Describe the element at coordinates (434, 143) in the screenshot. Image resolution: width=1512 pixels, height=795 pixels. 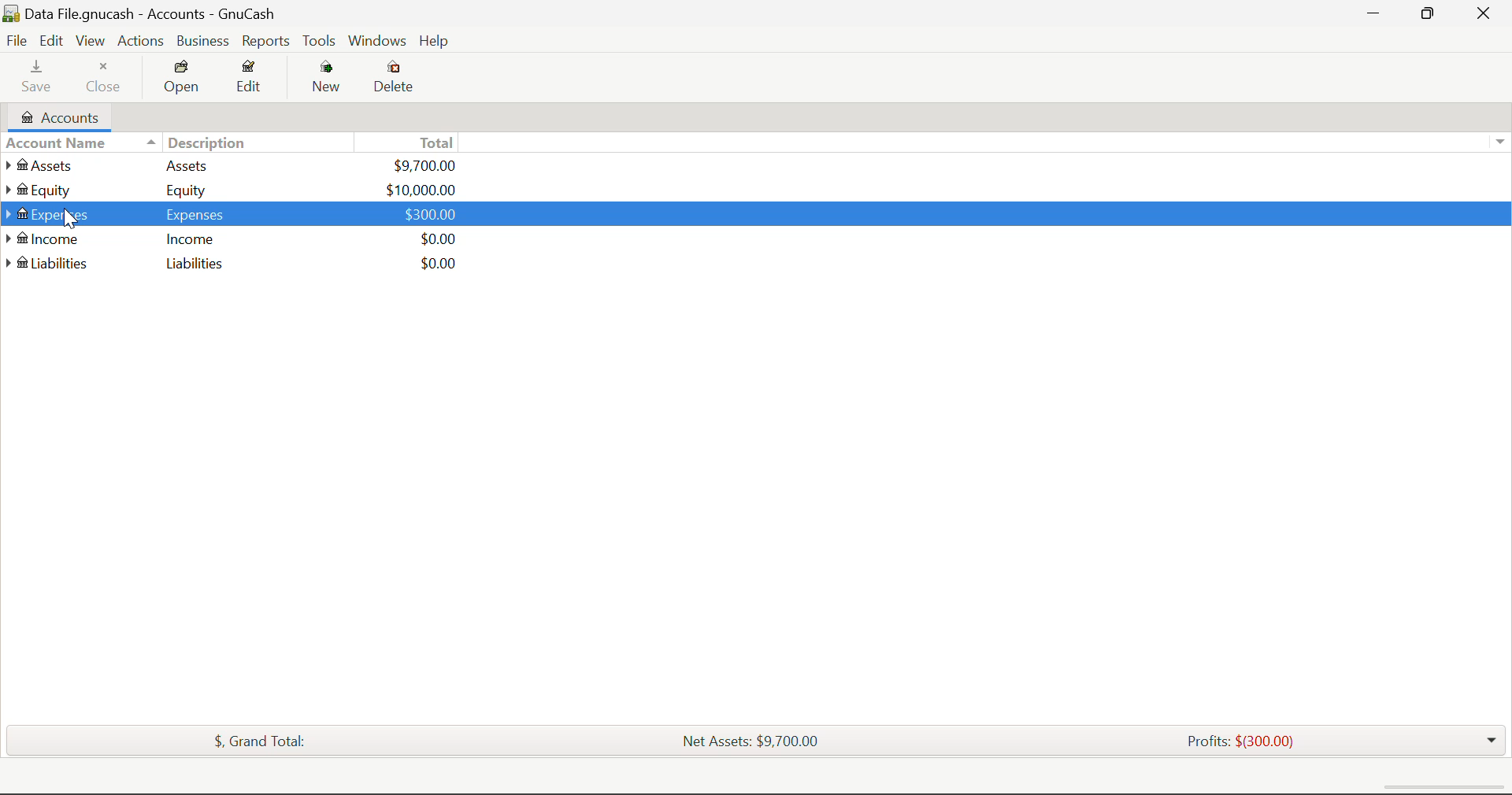
I see `Total` at that location.